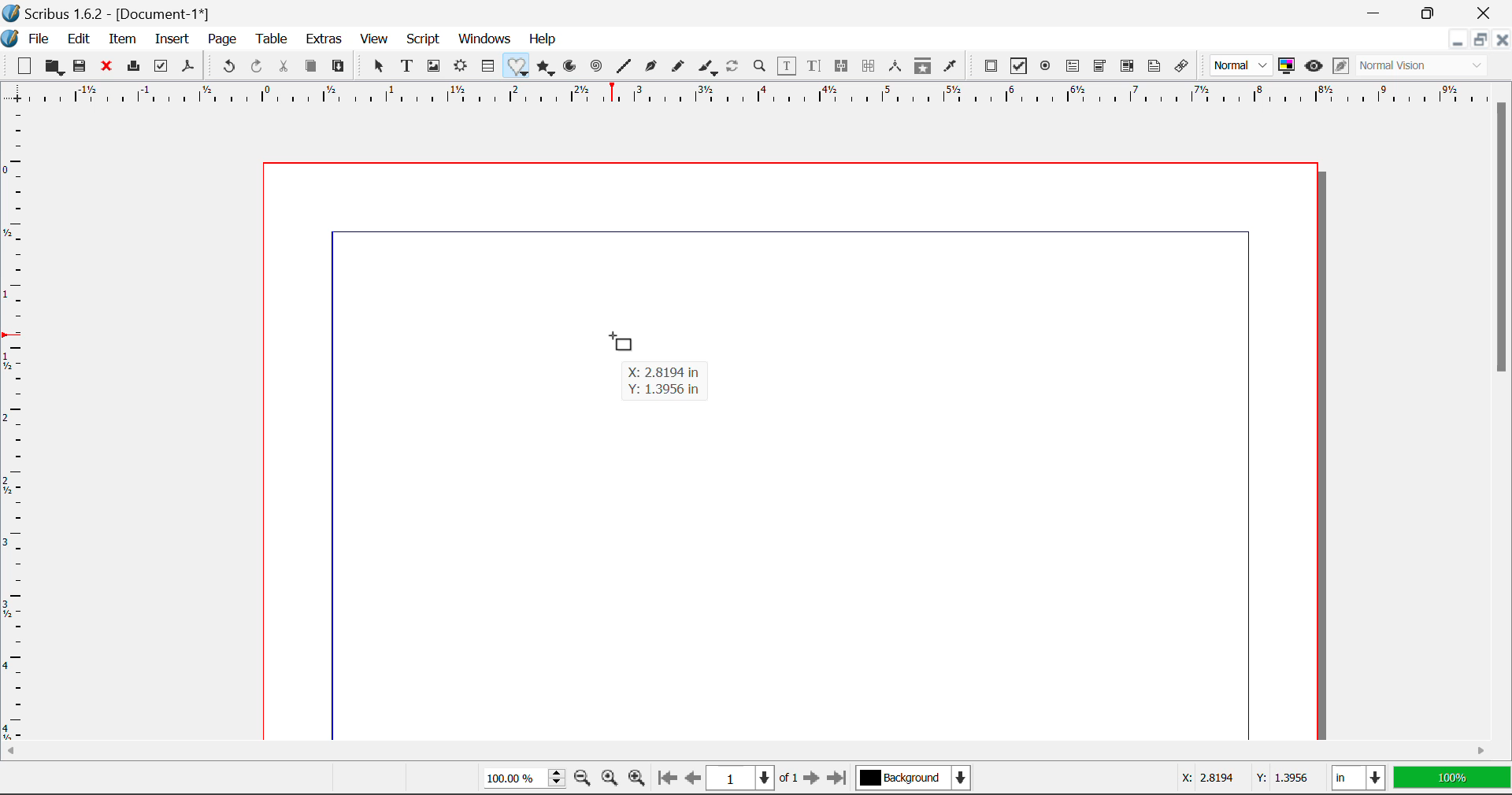 Image resolution: width=1512 pixels, height=795 pixels. Describe the element at coordinates (753, 778) in the screenshot. I see `Page Number` at that location.